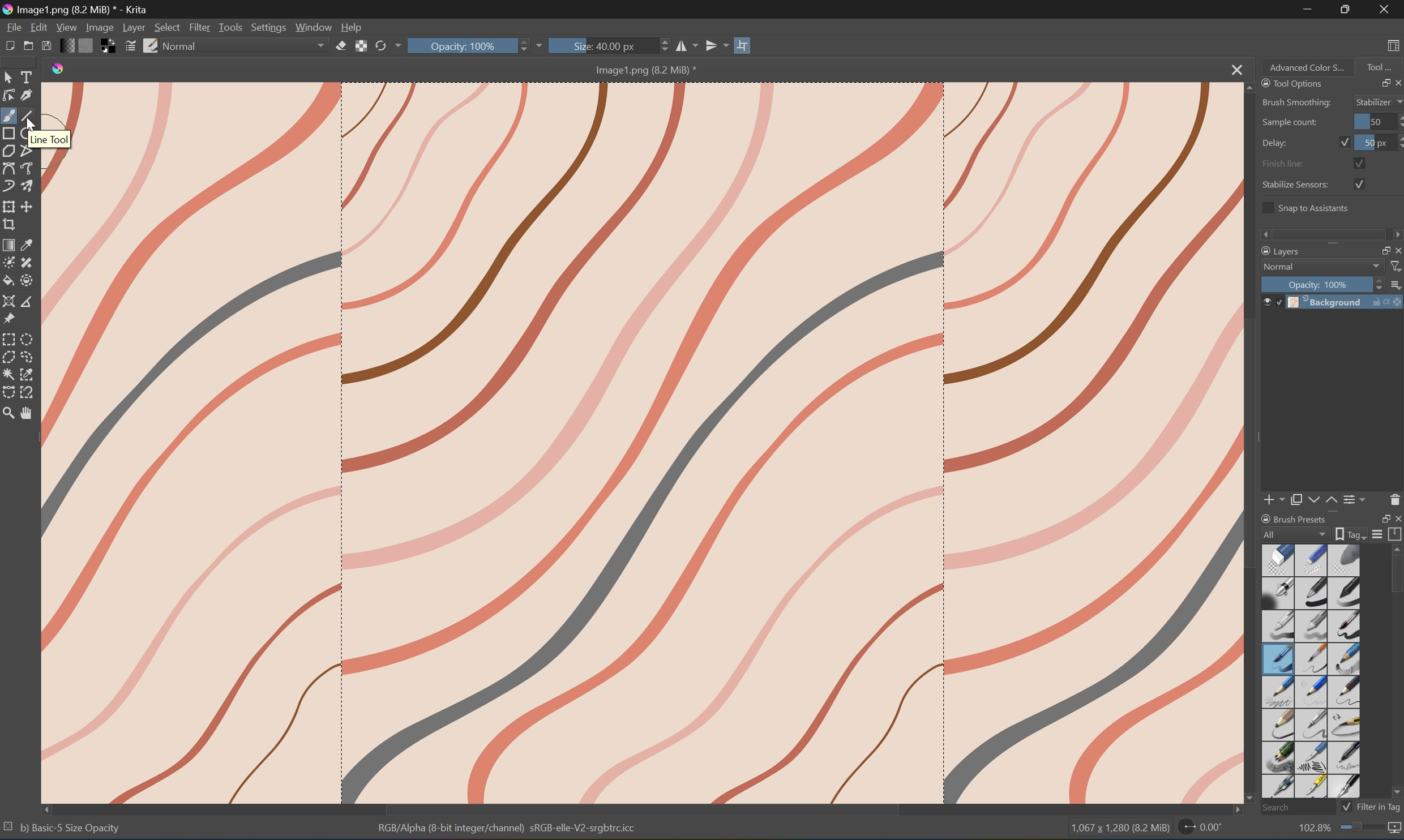  What do you see at coordinates (30, 338) in the screenshot?
I see `Elliptical selection tool` at bounding box center [30, 338].